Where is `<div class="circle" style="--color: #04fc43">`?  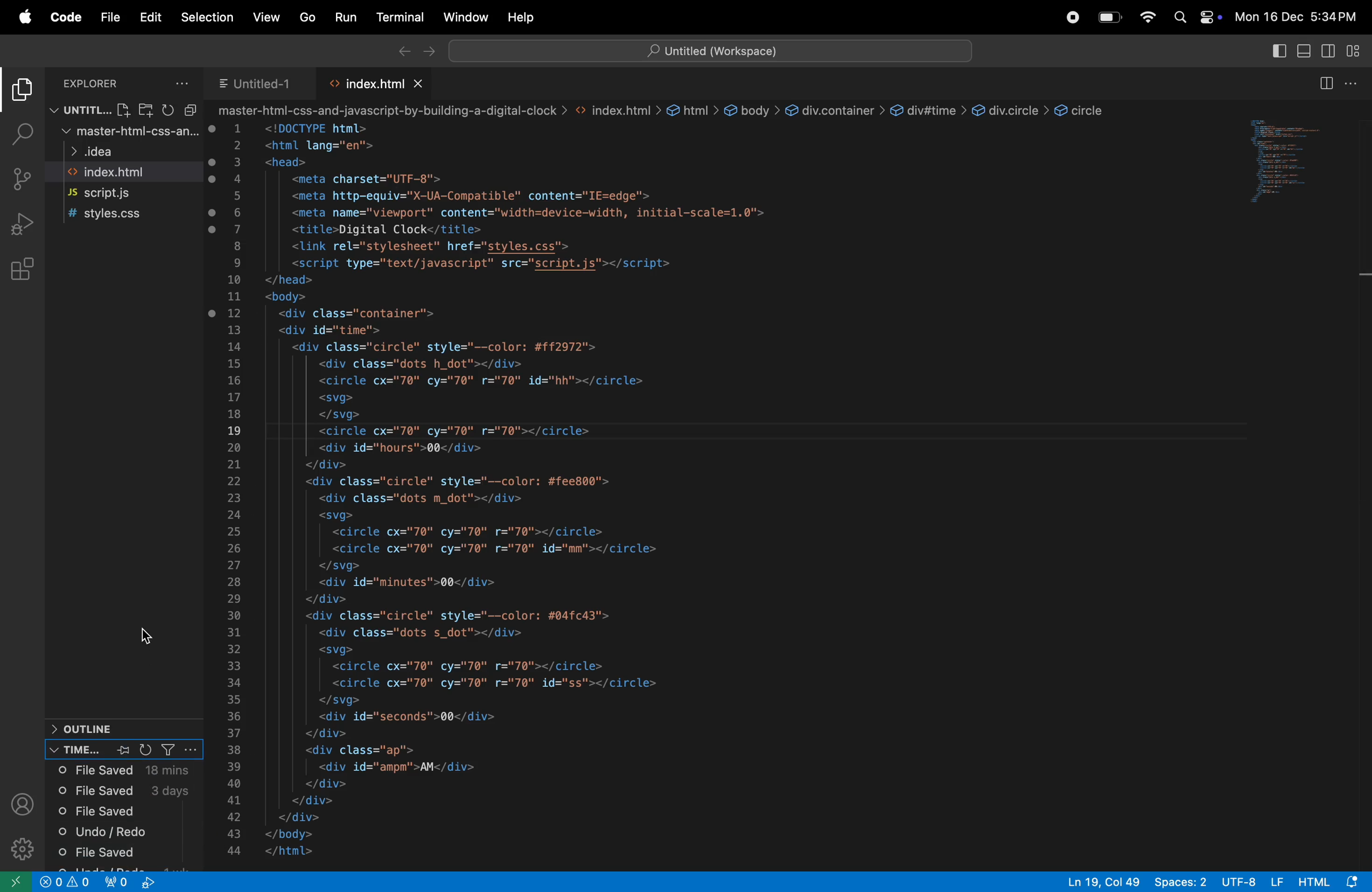 <div class="circle" style="--color: #04fc43"> is located at coordinates (464, 615).